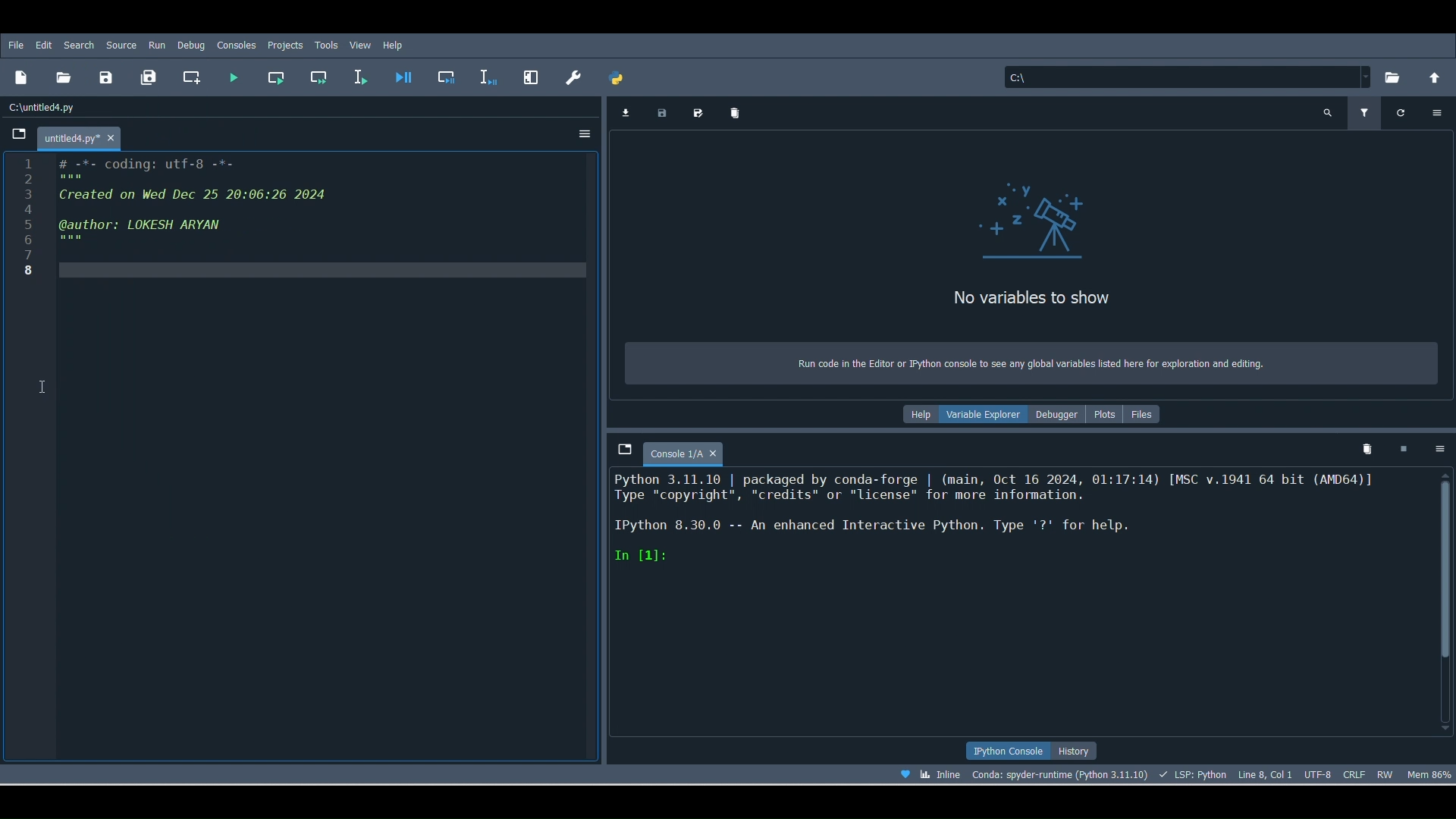 This screenshot has height=819, width=1456. Describe the element at coordinates (1059, 413) in the screenshot. I see `Debugger` at that location.